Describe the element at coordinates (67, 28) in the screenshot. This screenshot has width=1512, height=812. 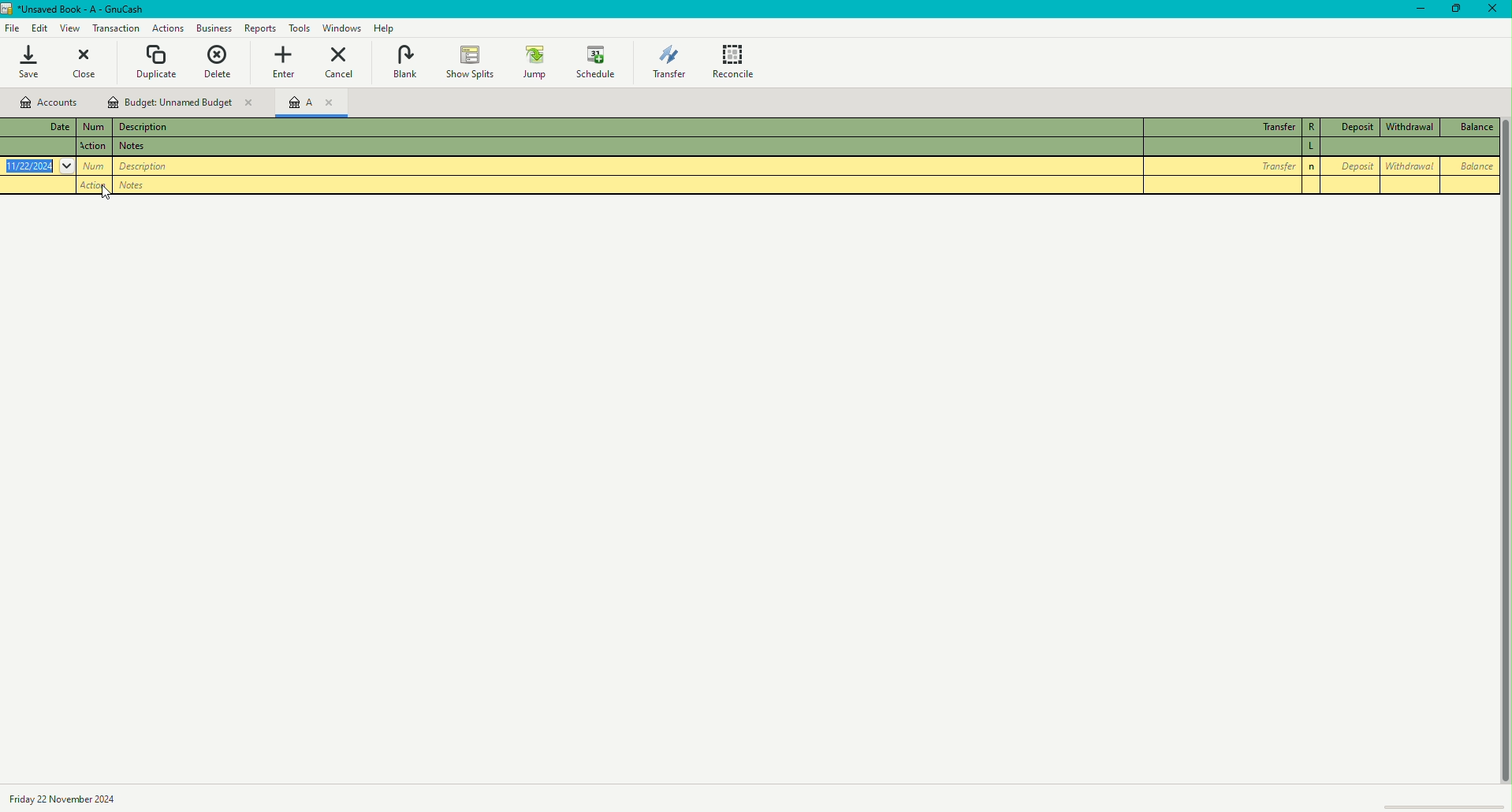
I see `View` at that location.